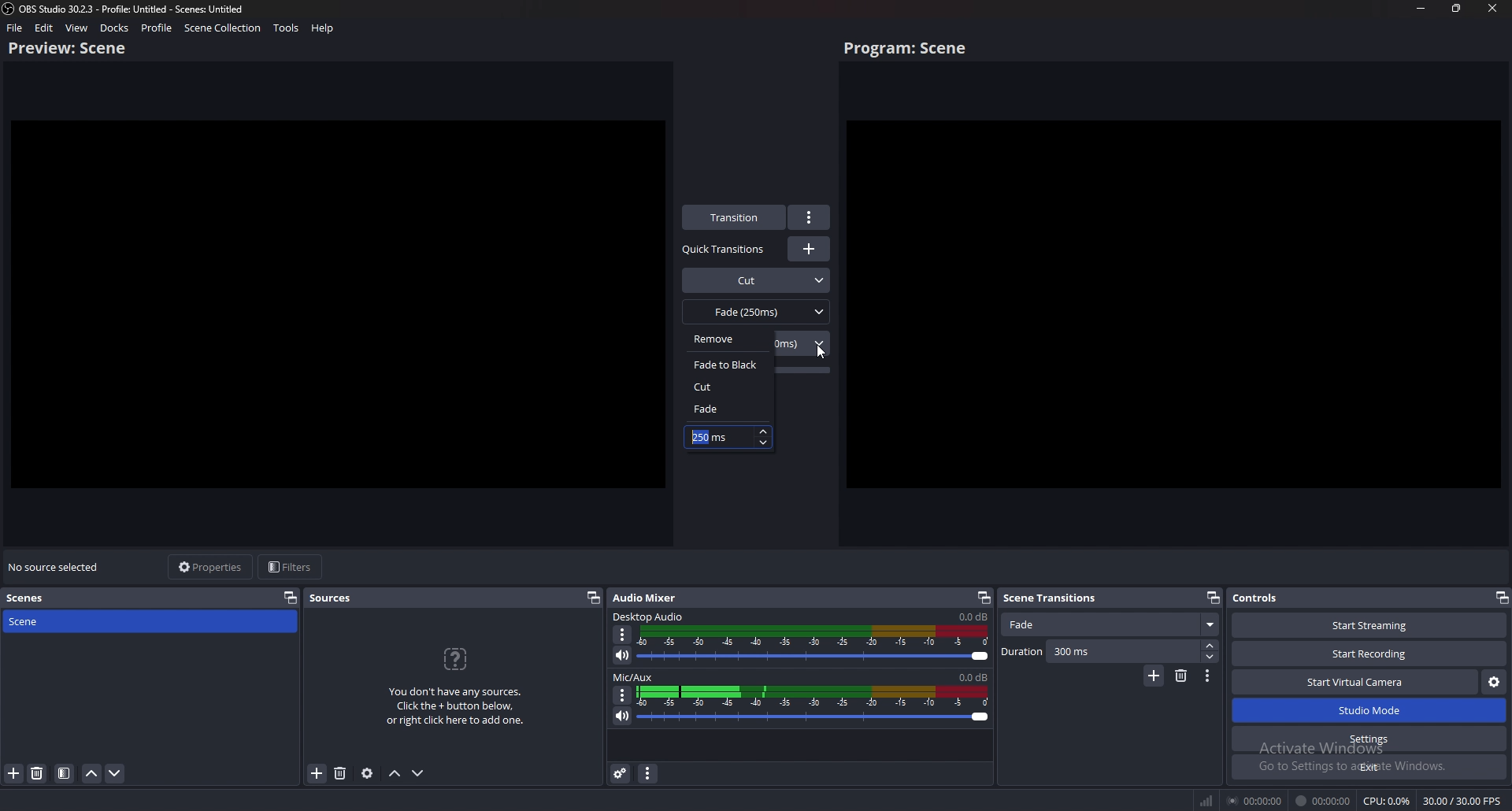  What do you see at coordinates (222, 28) in the screenshot?
I see `scene collection` at bounding box center [222, 28].